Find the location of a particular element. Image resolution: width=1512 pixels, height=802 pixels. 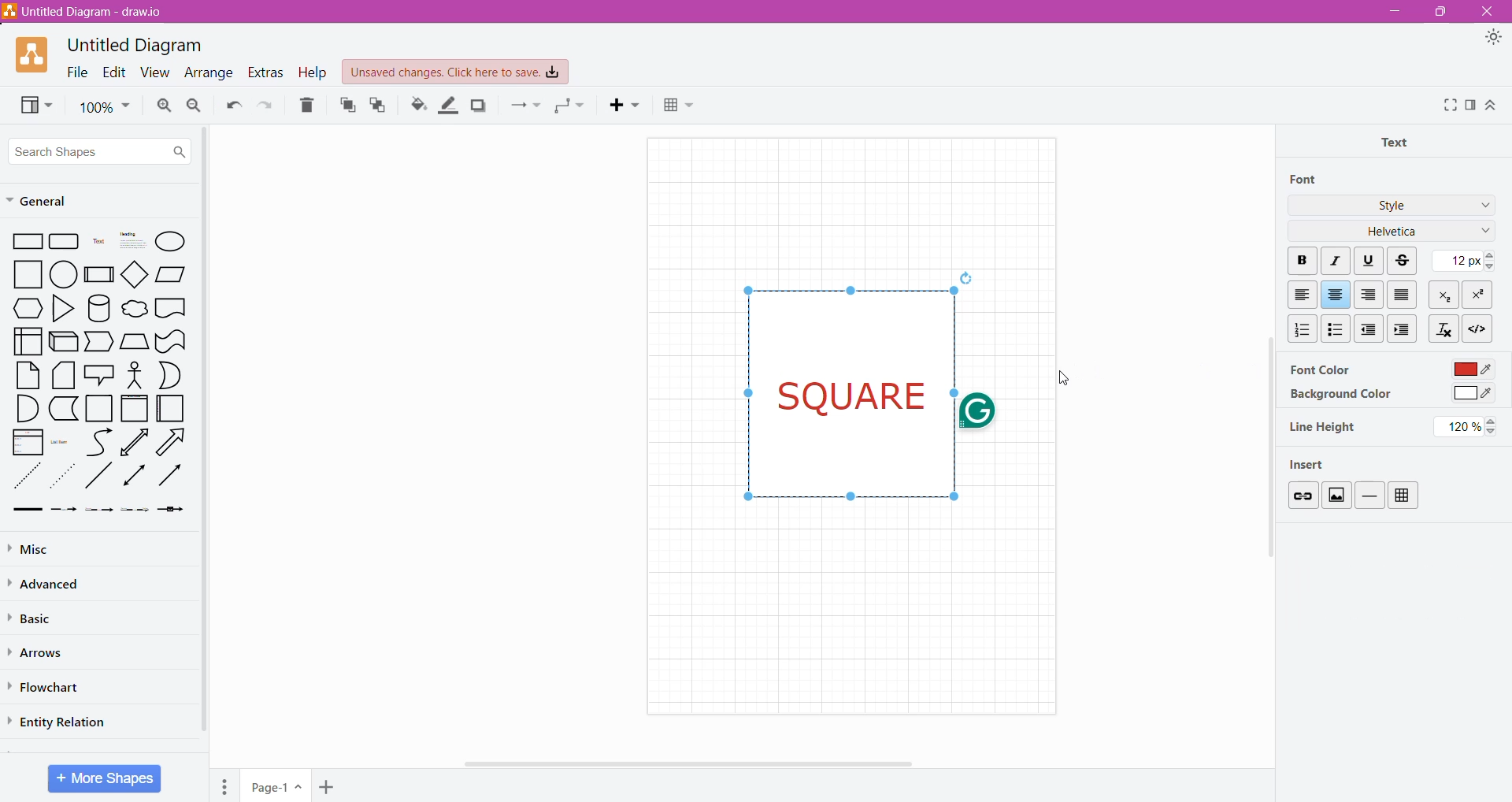

Shadow is located at coordinates (484, 106).